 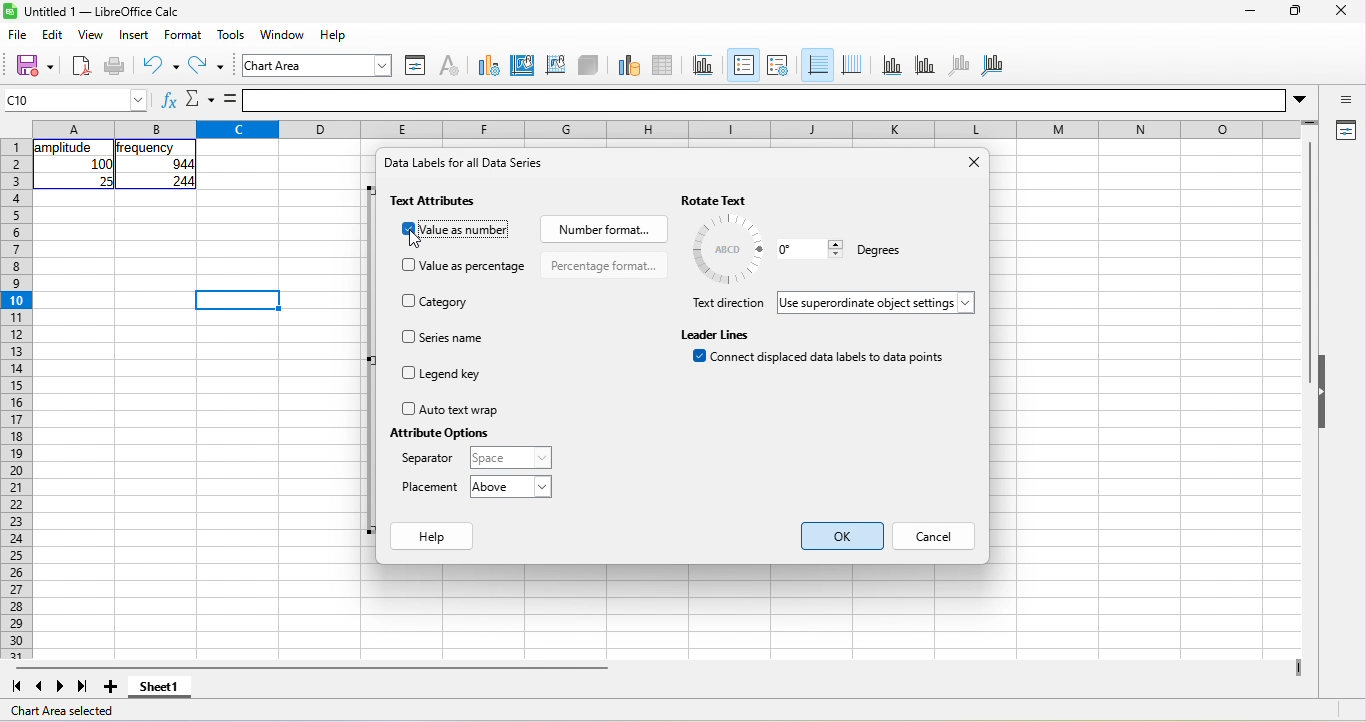 What do you see at coordinates (602, 227) in the screenshot?
I see `number format` at bounding box center [602, 227].